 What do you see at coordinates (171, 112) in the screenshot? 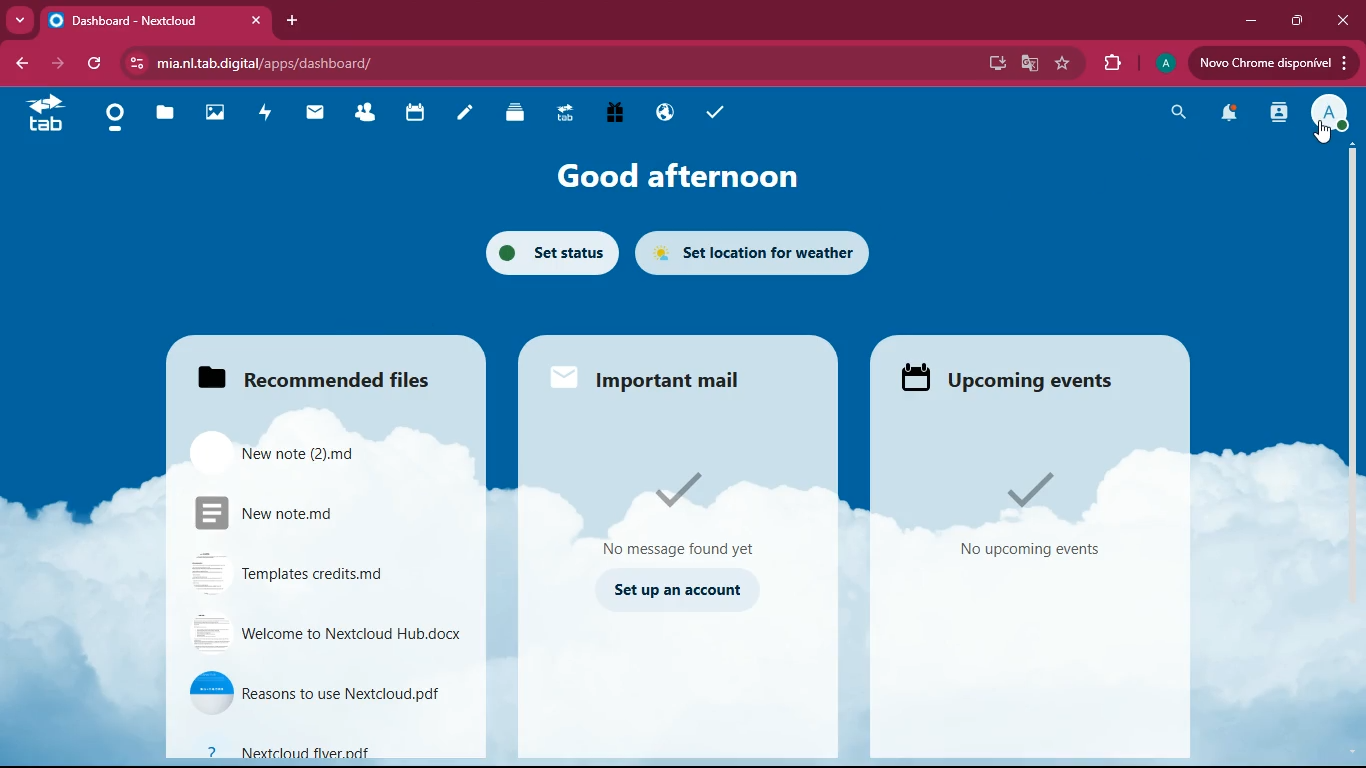
I see `files` at bounding box center [171, 112].